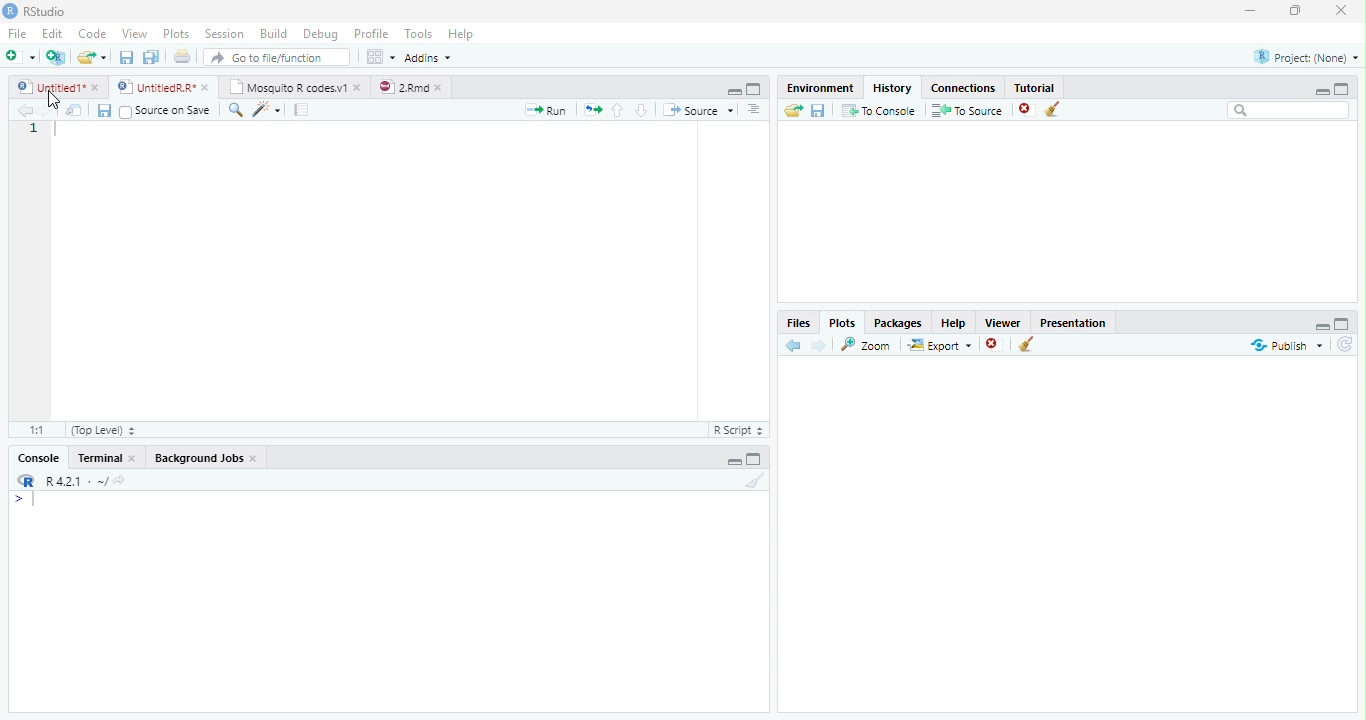 The width and height of the screenshot is (1366, 720). What do you see at coordinates (893, 86) in the screenshot?
I see `History` at bounding box center [893, 86].